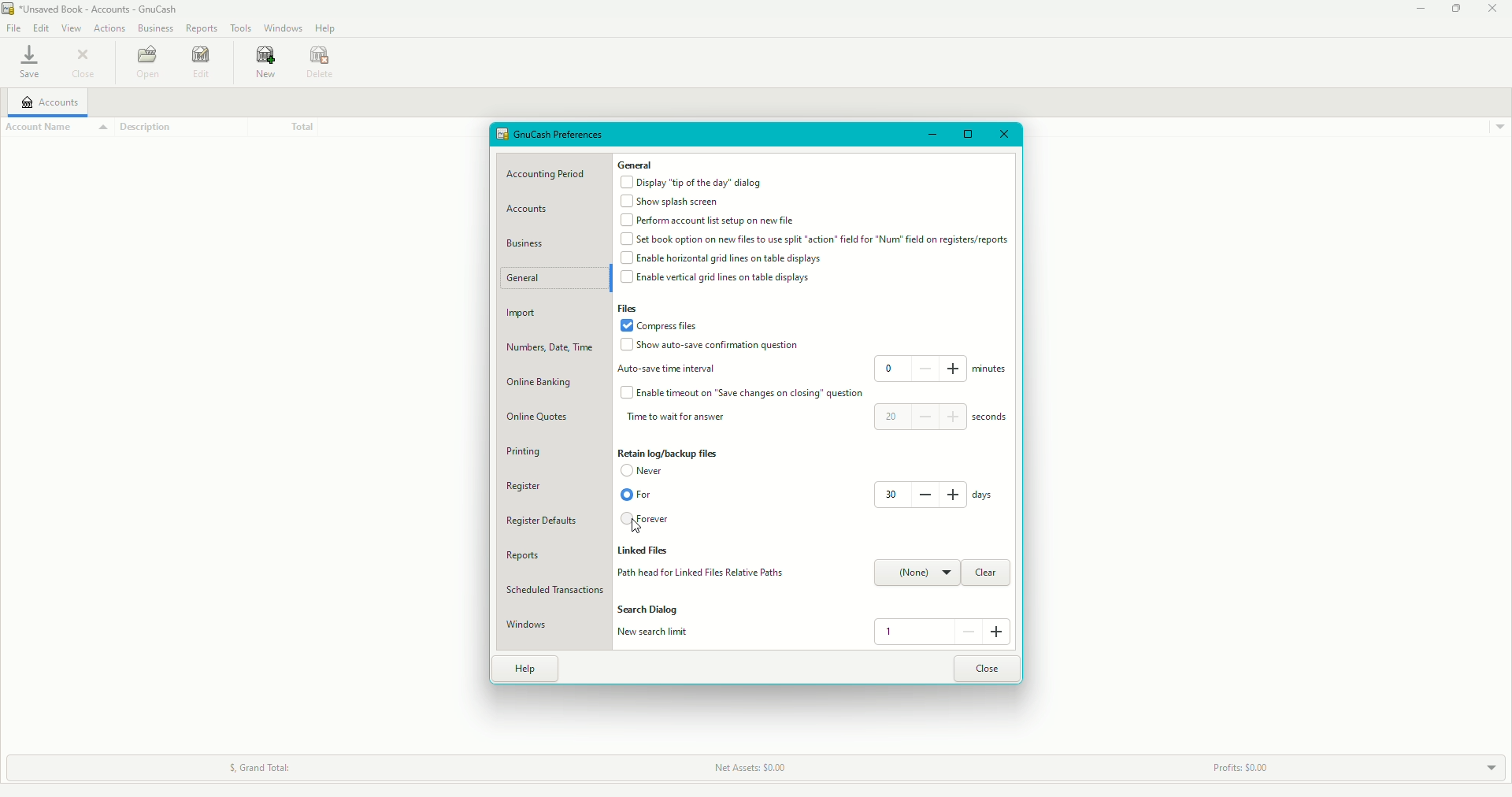 Image resolution: width=1512 pixels, height=797 pixels. What do you see at coordinates (940, 632) in the screenshot?
I see `1` at bounding box center [940, 632].